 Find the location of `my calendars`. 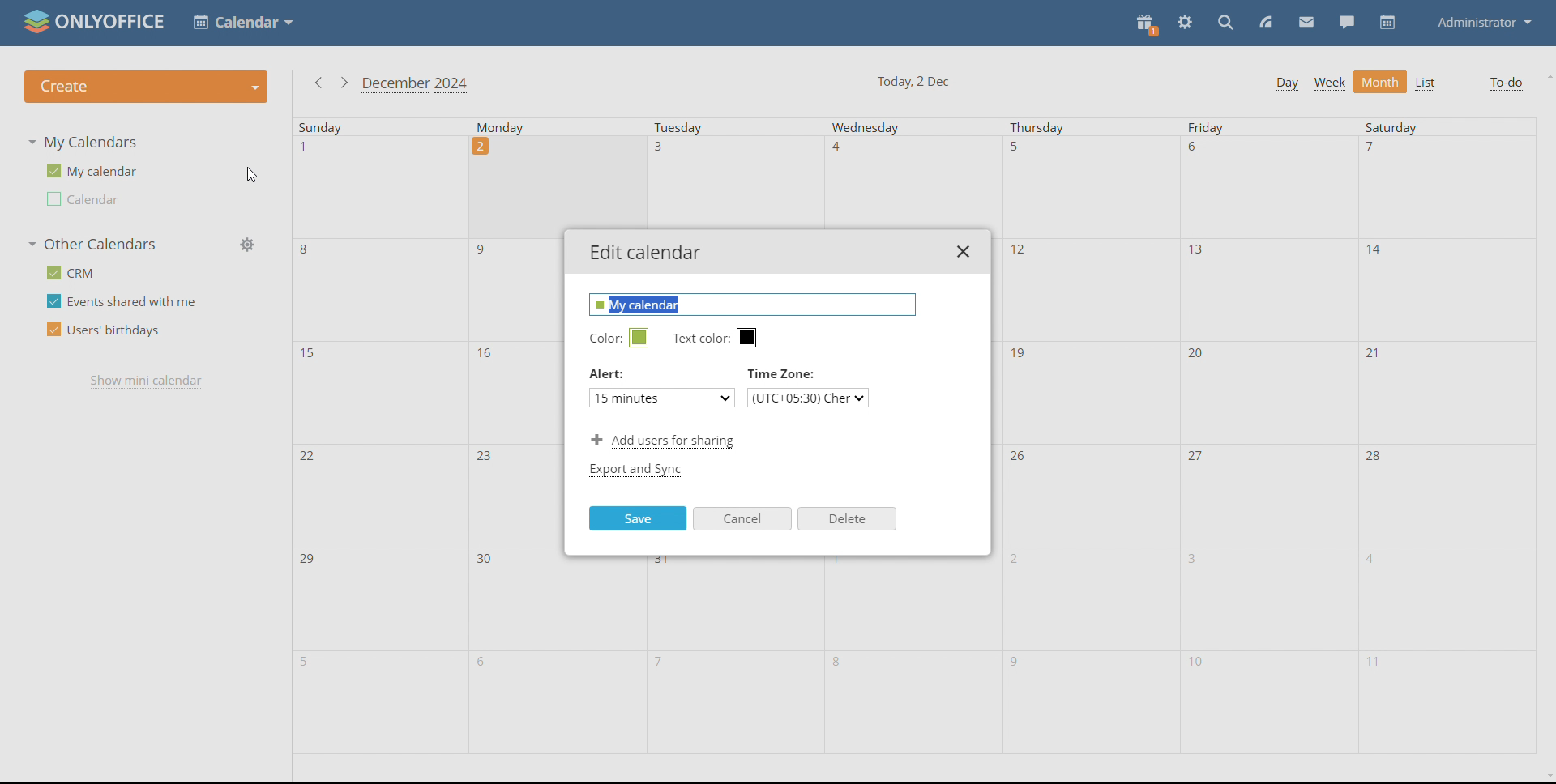

my calendars is located at coordinates (88, 143).